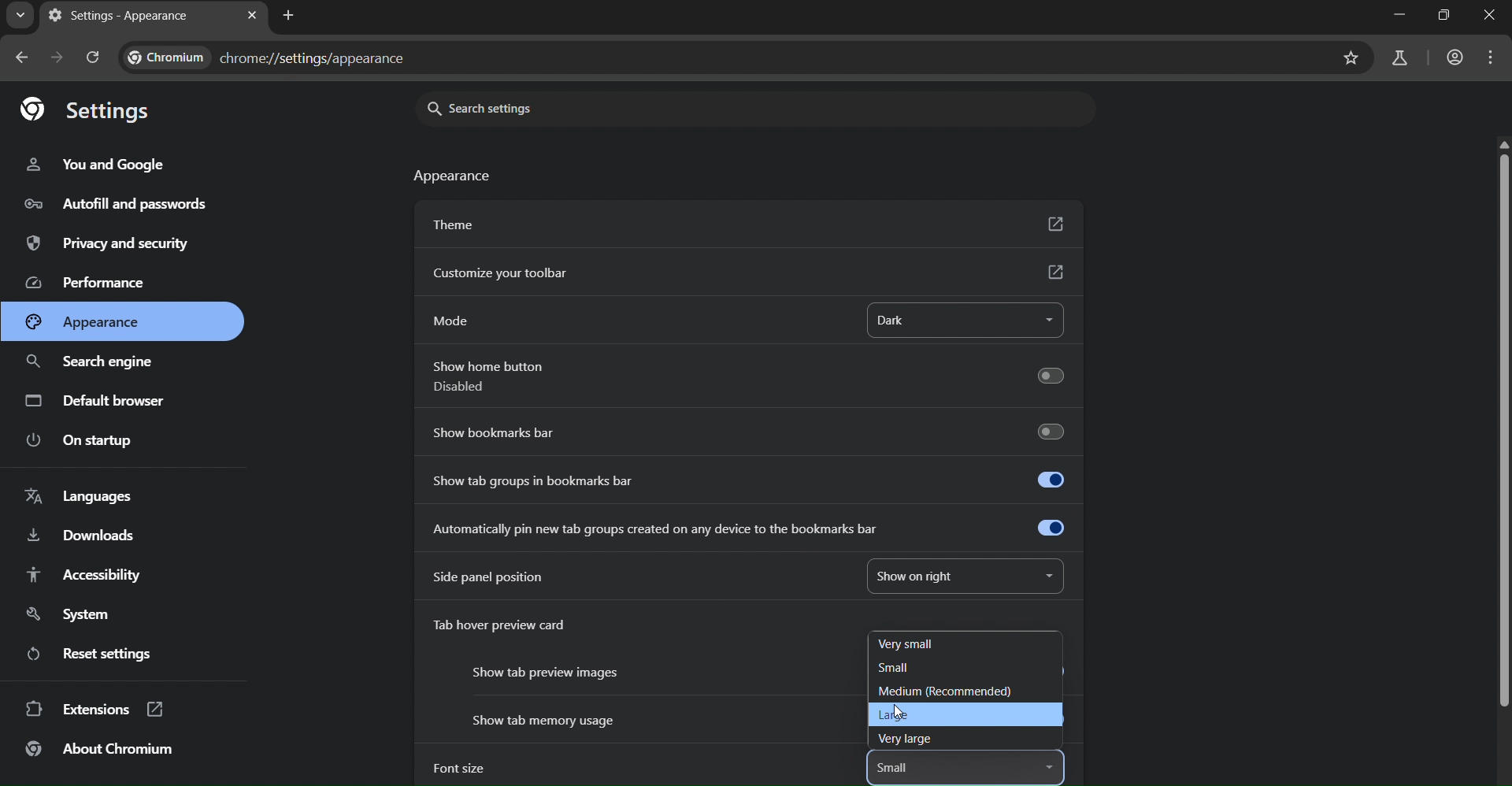 The image size is (1512, 786). Describe the element at coordinates (93, 710) in the screenshot. I see `extensions` at that location.